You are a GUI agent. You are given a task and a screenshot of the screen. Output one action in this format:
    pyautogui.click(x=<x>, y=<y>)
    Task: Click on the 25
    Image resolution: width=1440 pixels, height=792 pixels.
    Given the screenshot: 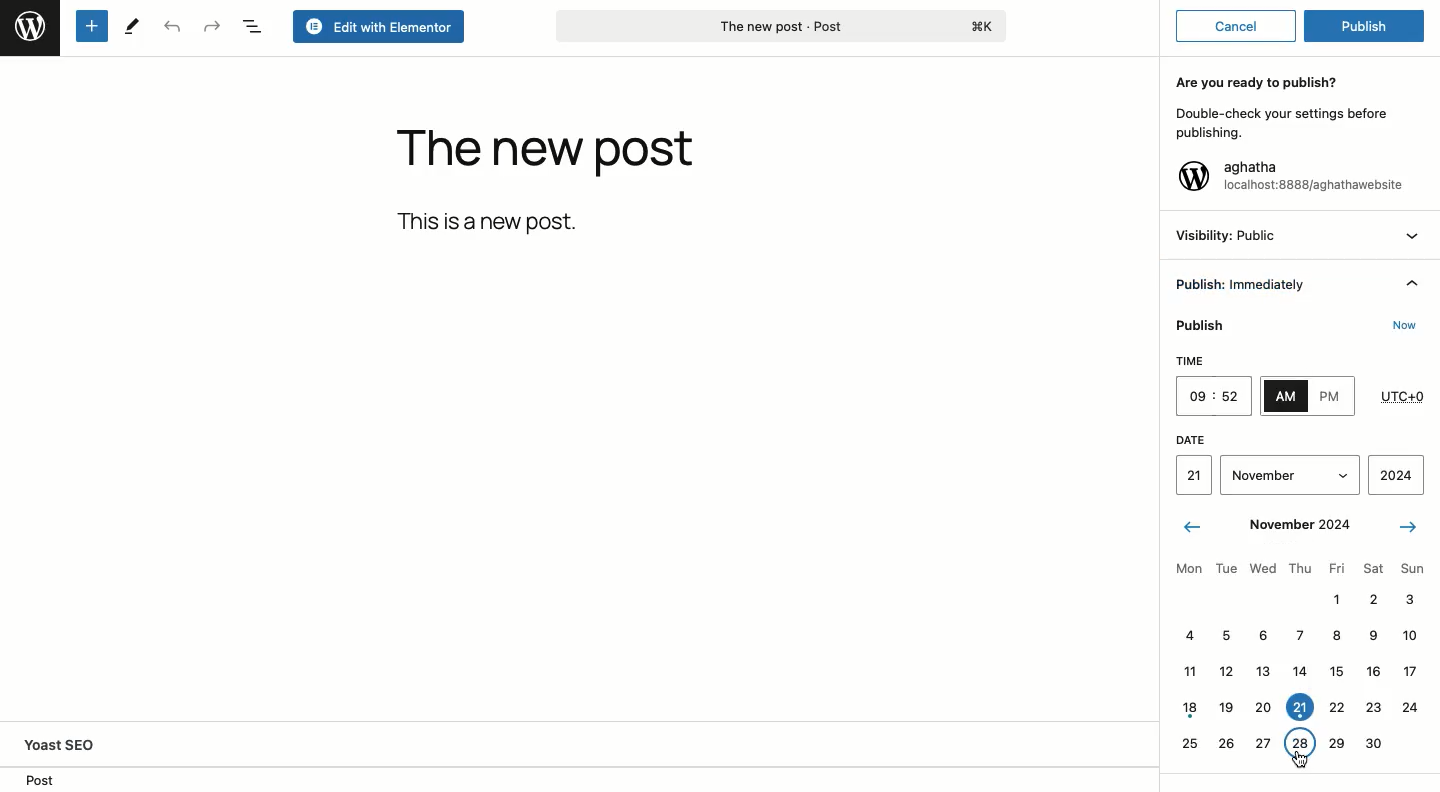 What is the action you would take?
    pyautogui.click(x=1190, y=743)
    